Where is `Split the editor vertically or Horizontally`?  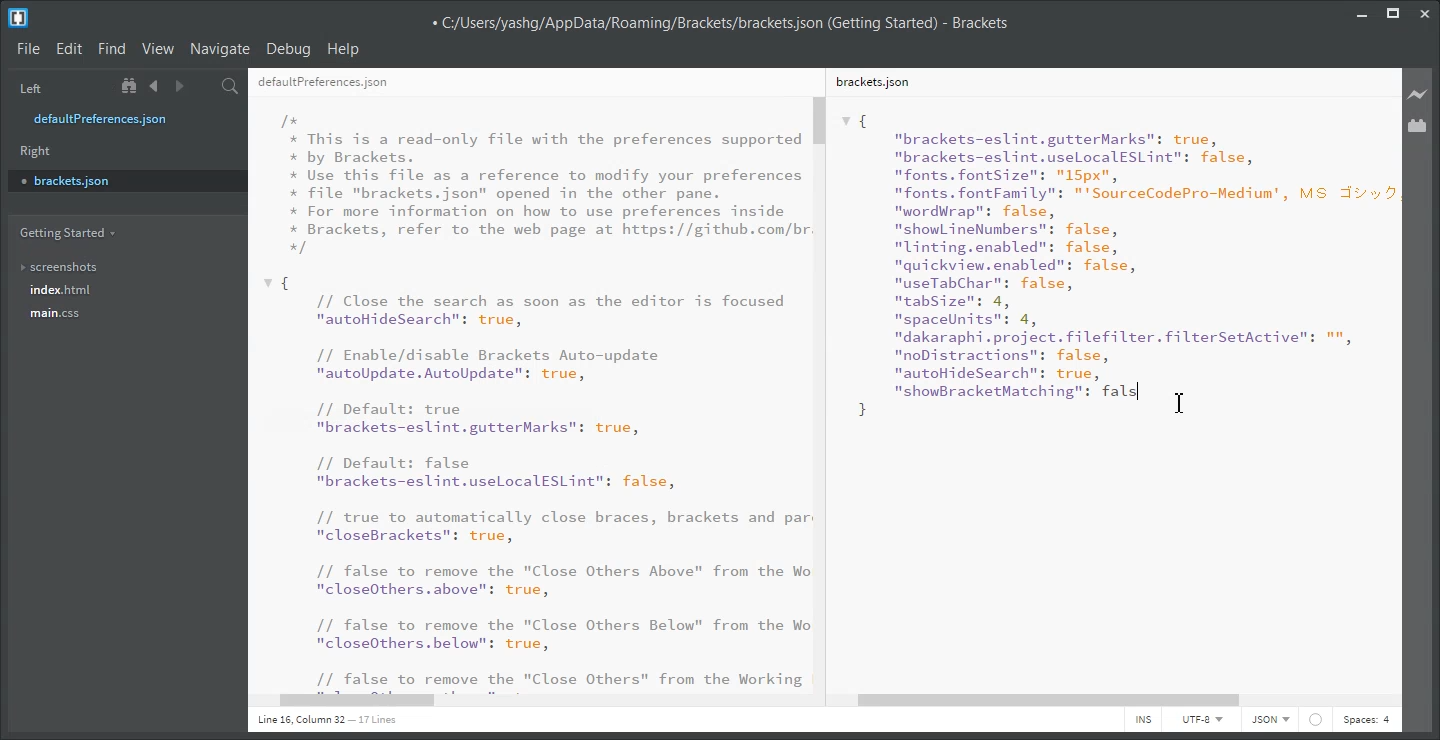 Split the editor vertically or Horizontally is located at coordinates (204, 86).